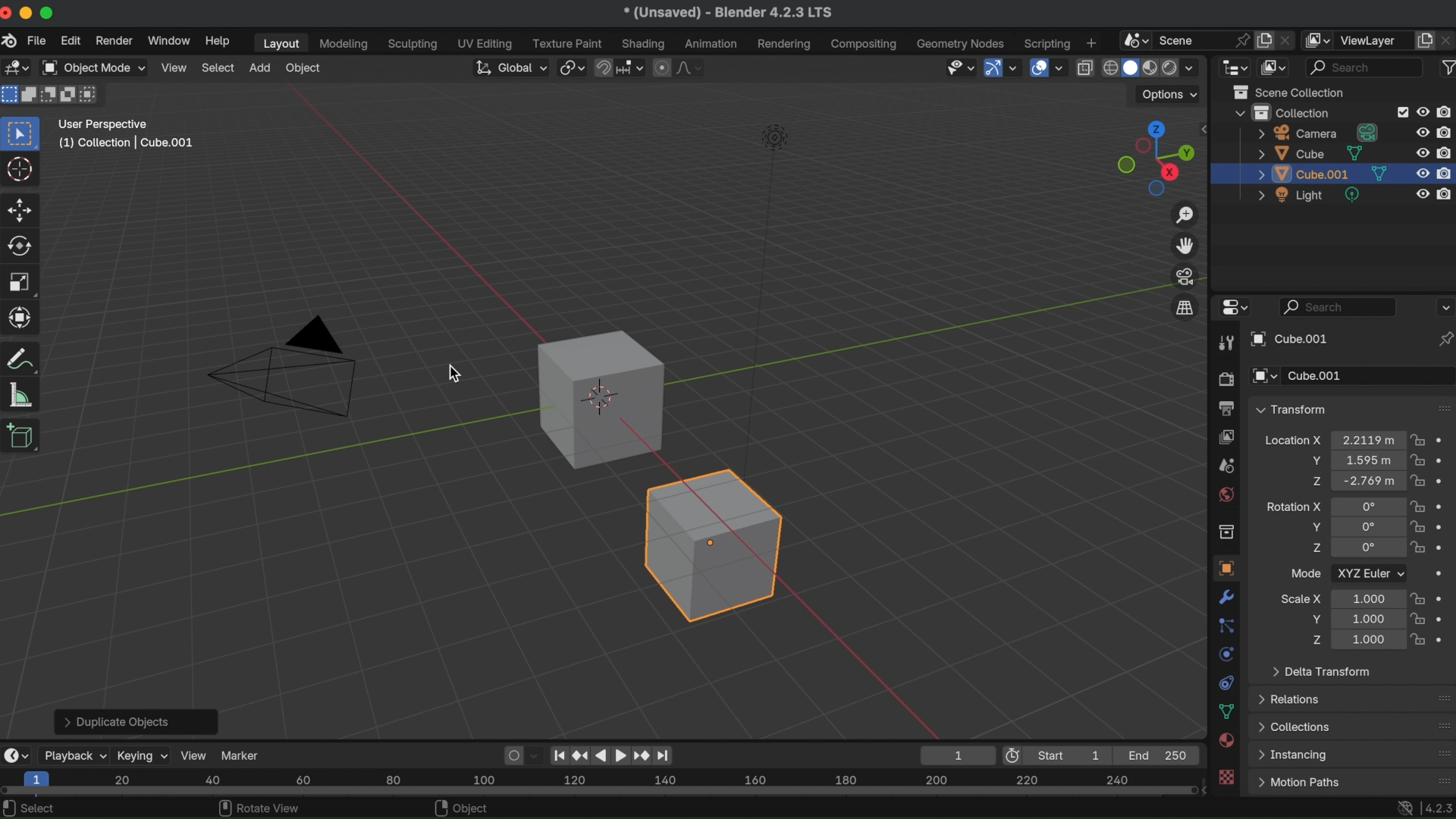 This screenshot has height=819, width=1456. What do you see at coordinates (955, 755) in the screenshot?
I see `1` at bounding box center [955, 755].